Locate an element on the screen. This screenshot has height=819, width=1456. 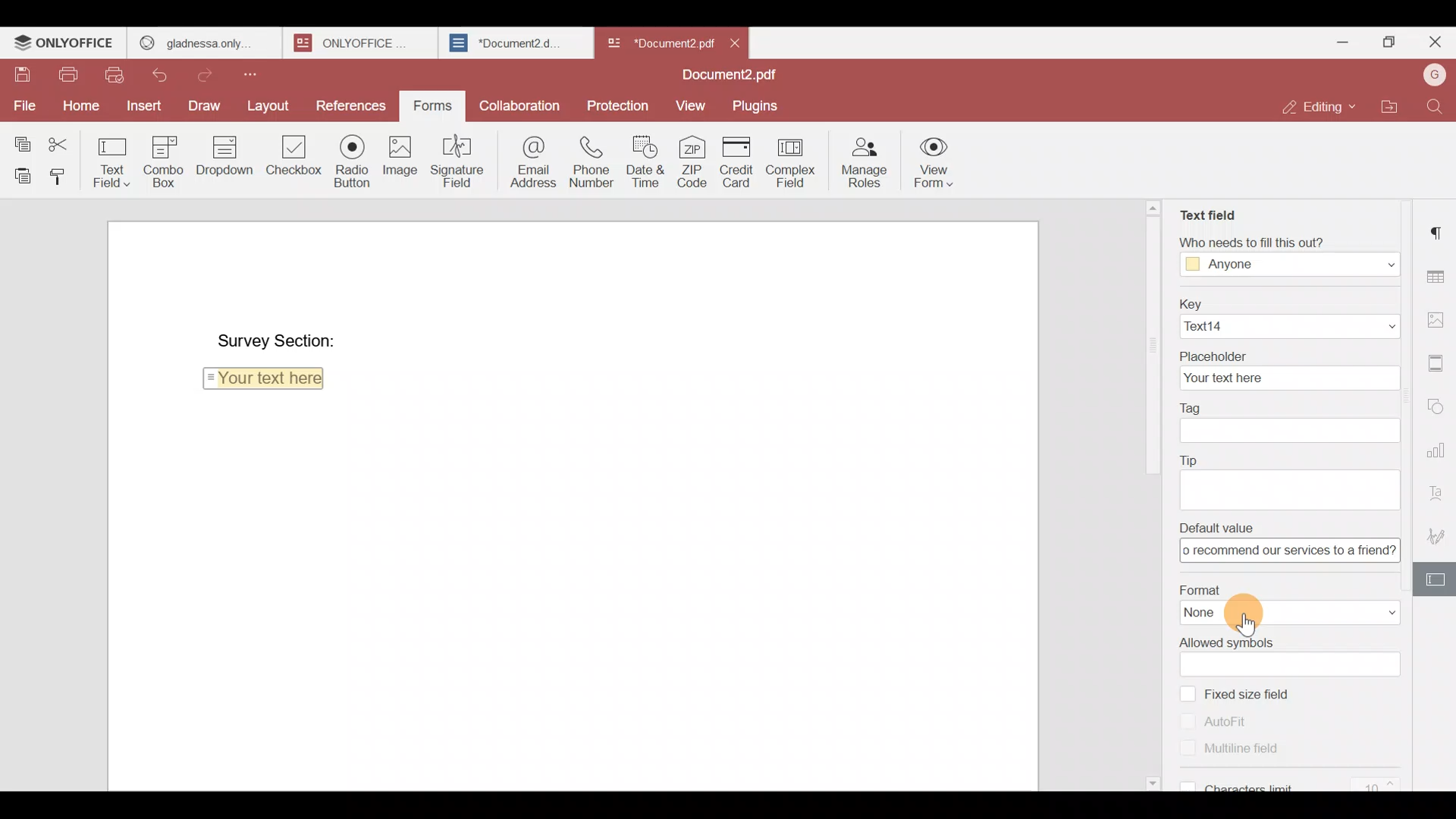
Copy style is located at coordinates (59, 173).